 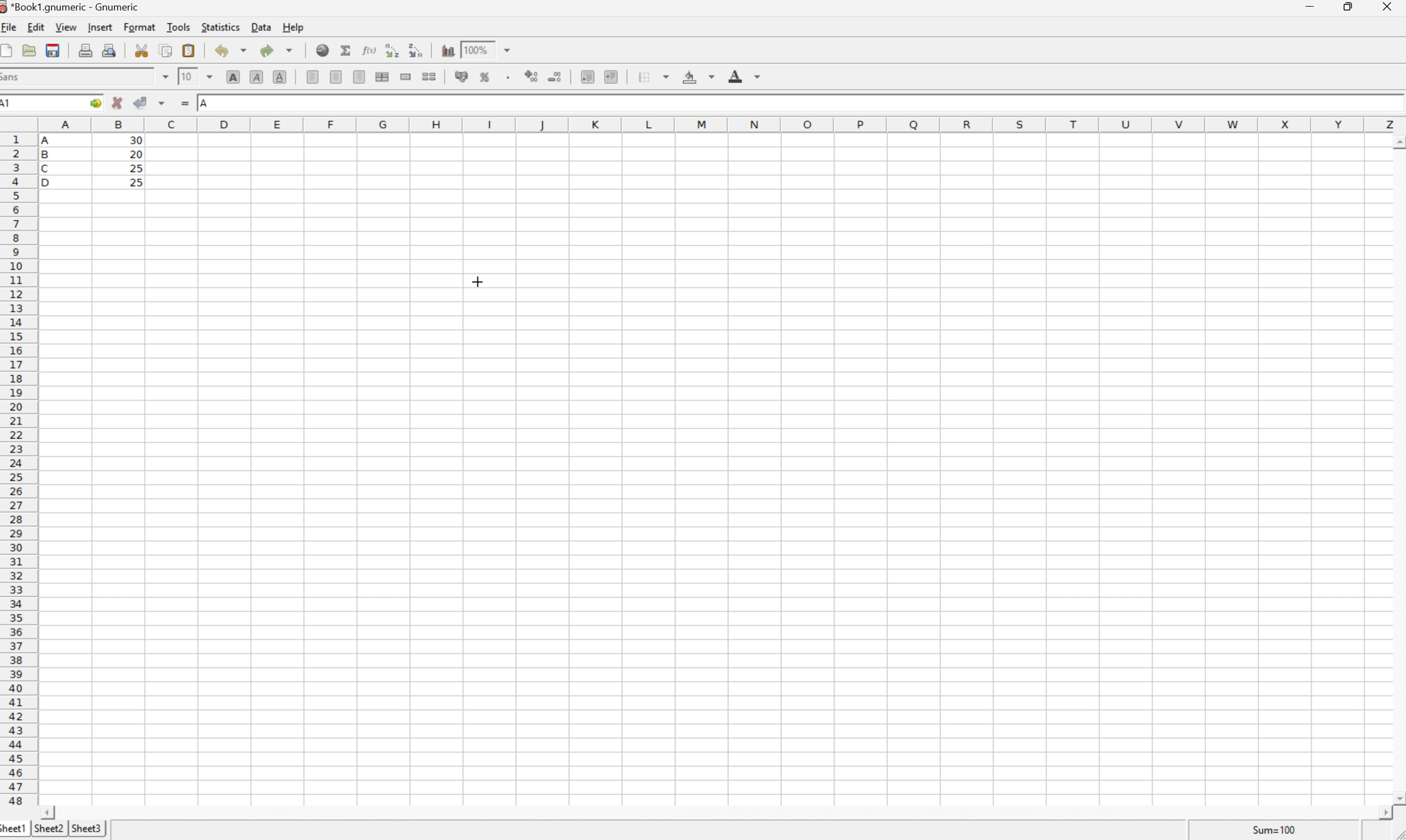 What do you see at coordinates (1397, 140) in the screenshot?
I see `Scroll Up` at bounding box center [1397, 140].